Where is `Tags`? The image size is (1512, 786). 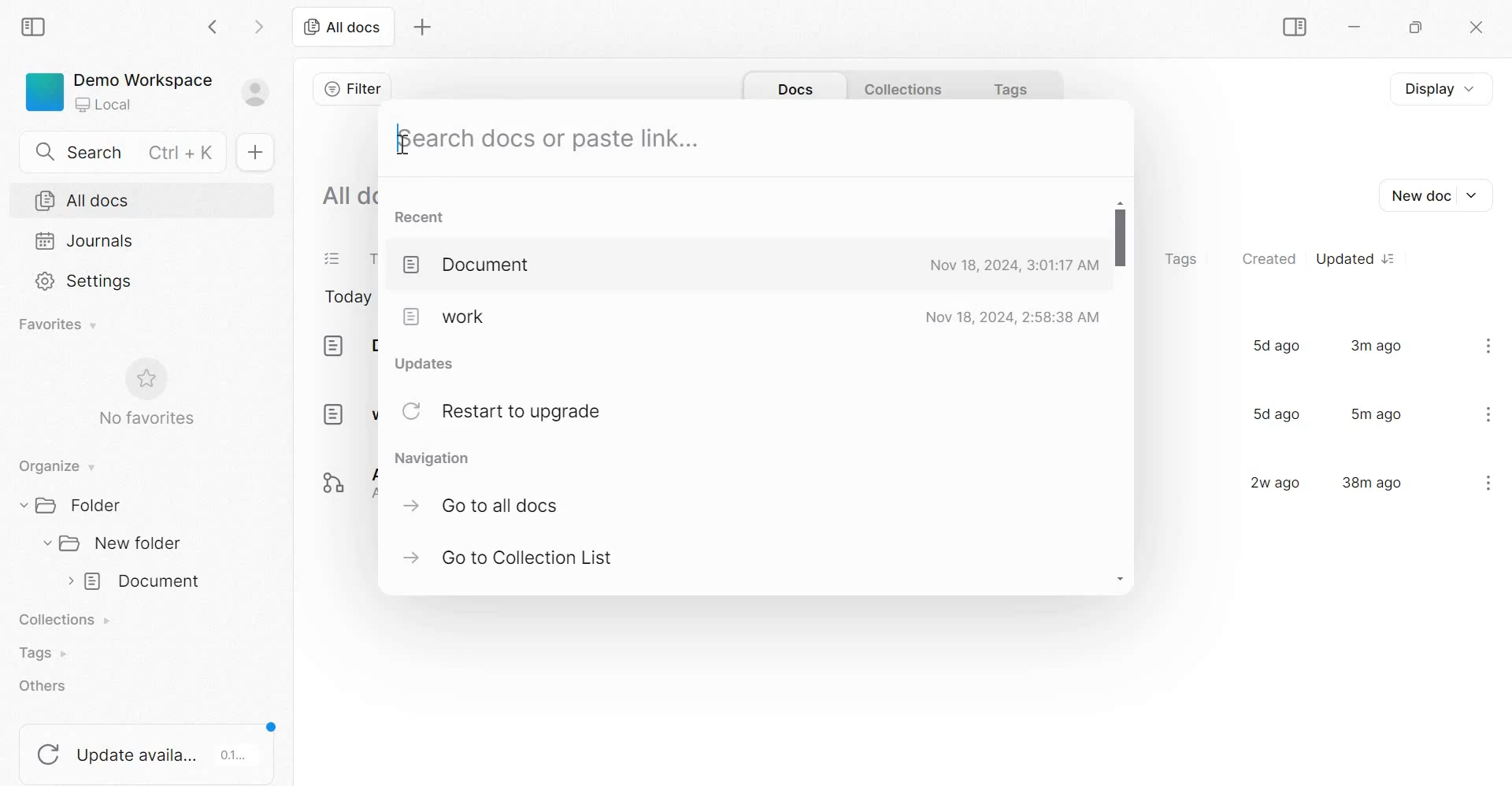
Tags is located at coordinates (1014, 87).